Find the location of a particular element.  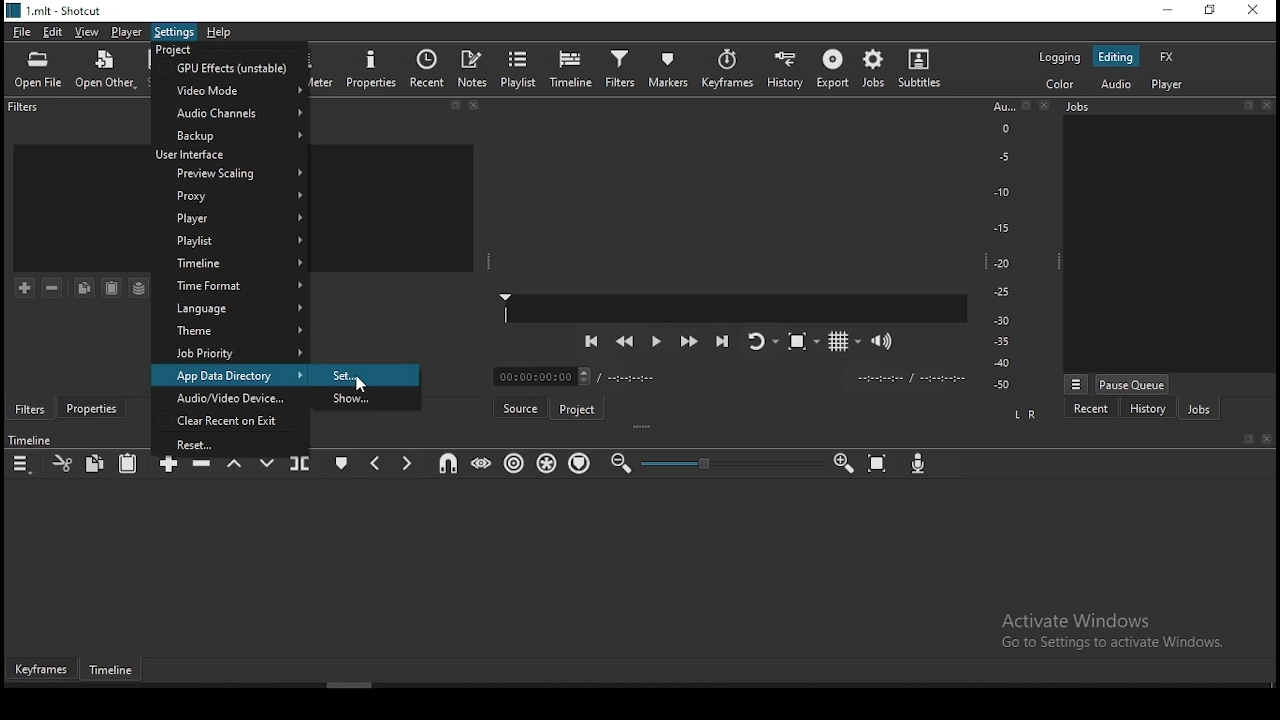

recent is located at coordinates (1091, 408).